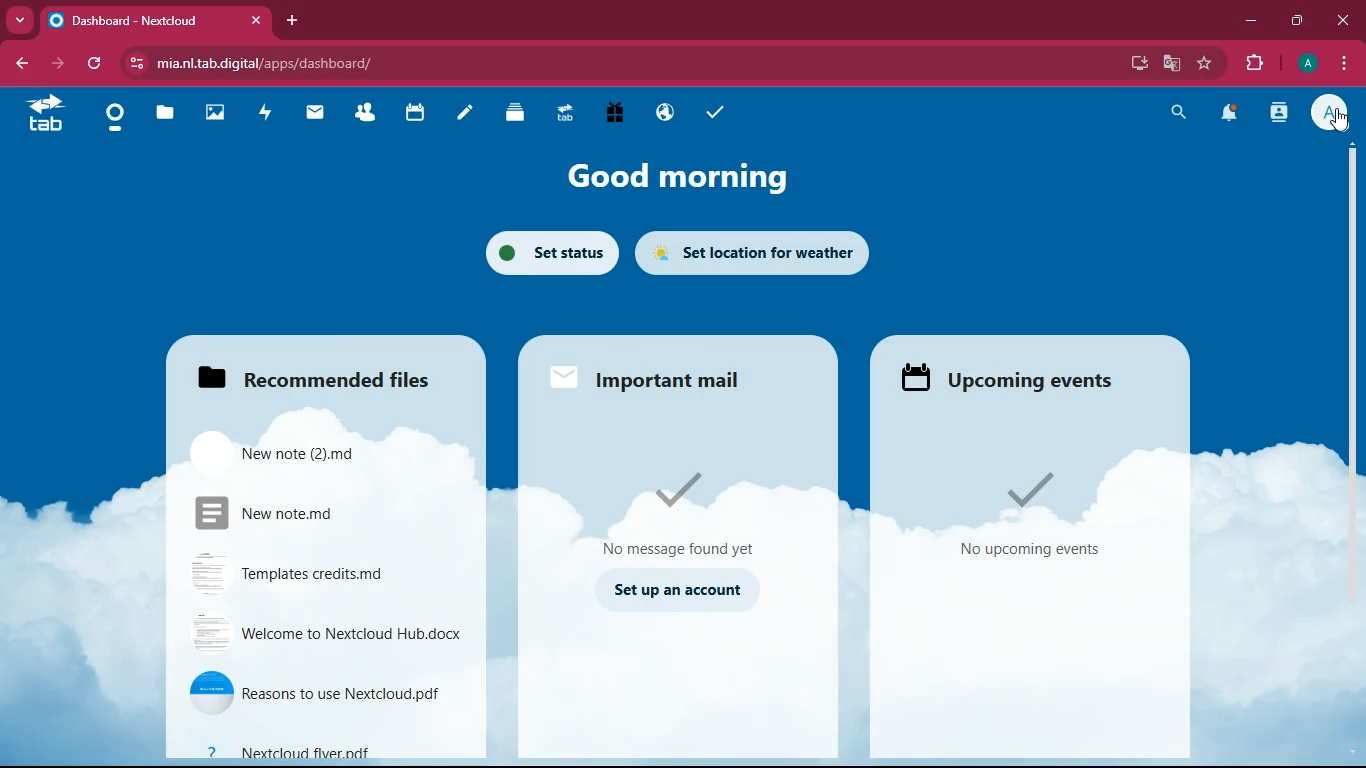 Image resolution: width=1366 pixels, height=768 pixels. I want to click on file, so click(302, 573).